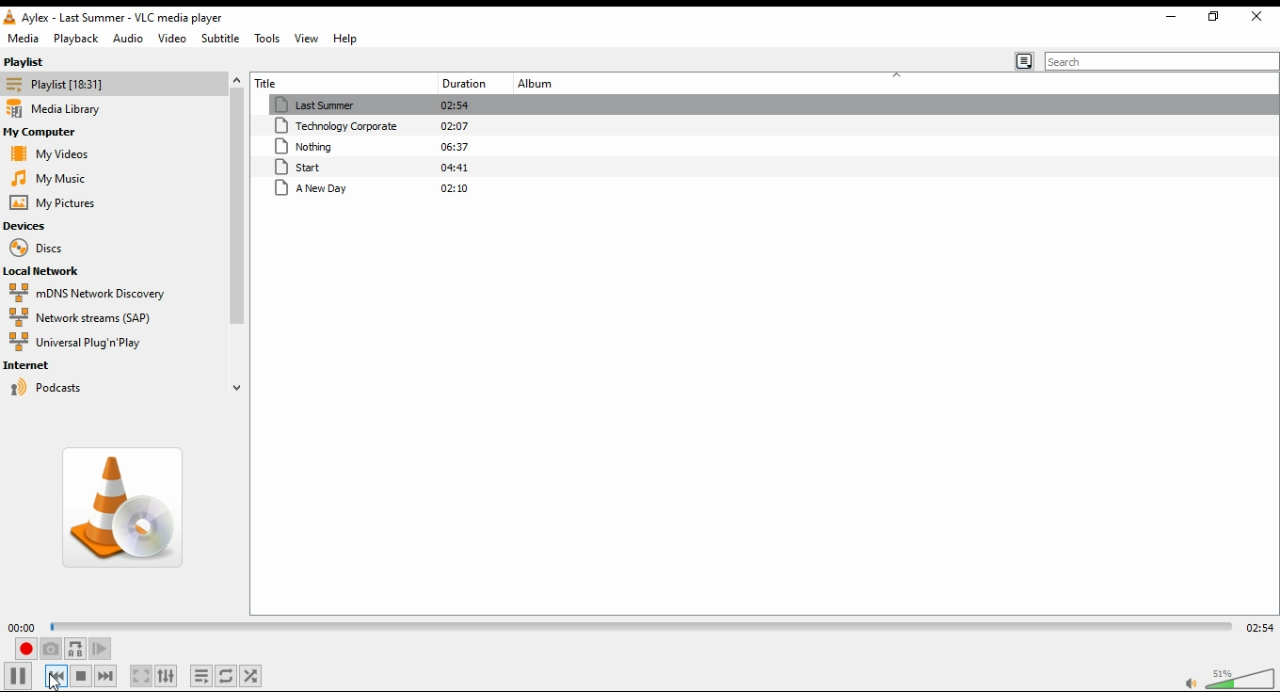 This screenshot has width=1280, height=692. Describe the element at coordinates (267, 37) in the screenshot. I see `tools` at that location.